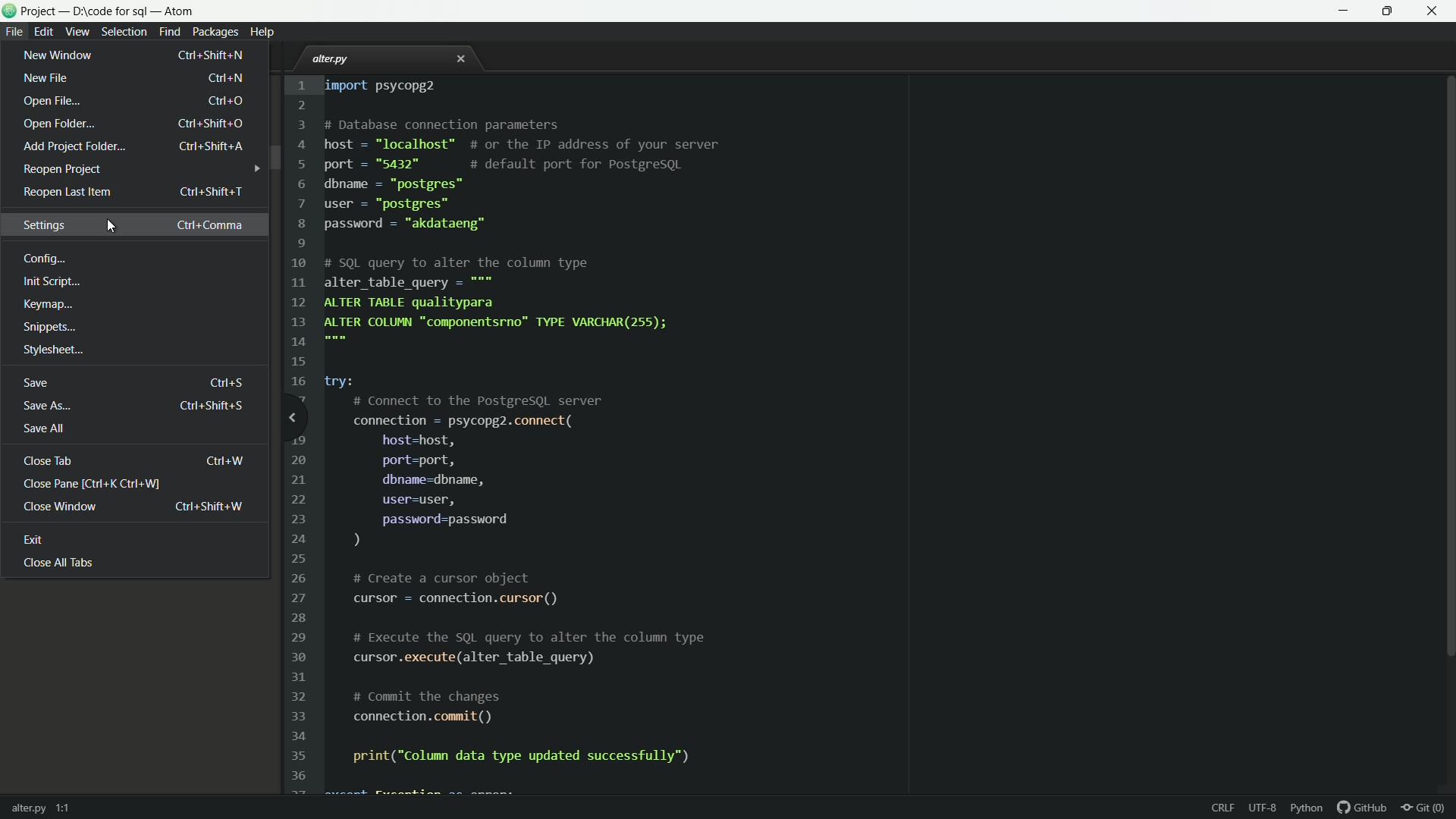  I want to click on close pane, so click(94, 484).